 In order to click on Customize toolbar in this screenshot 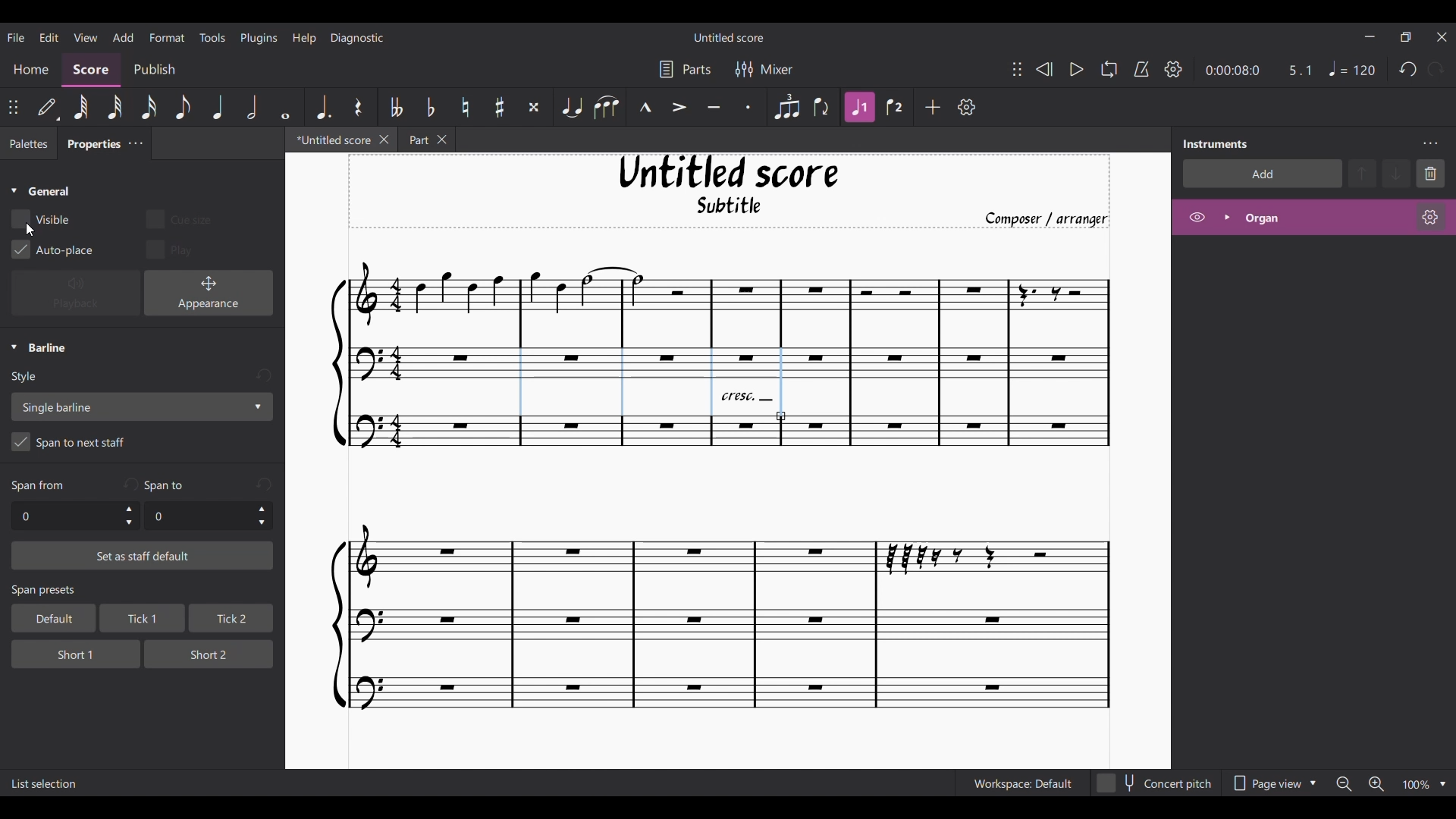, I will do `click(967, 107)`.